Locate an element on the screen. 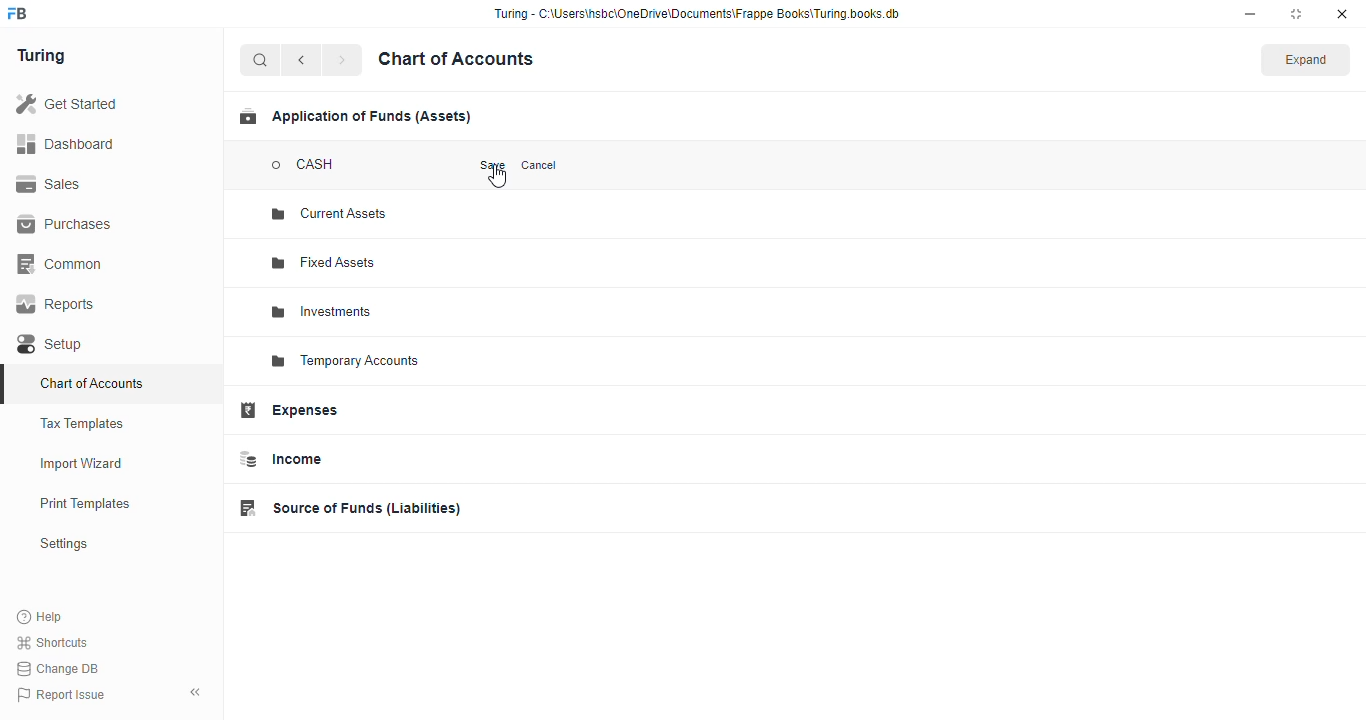 The image size is (1366, 720). print templates is located at coordinates (85, 503).